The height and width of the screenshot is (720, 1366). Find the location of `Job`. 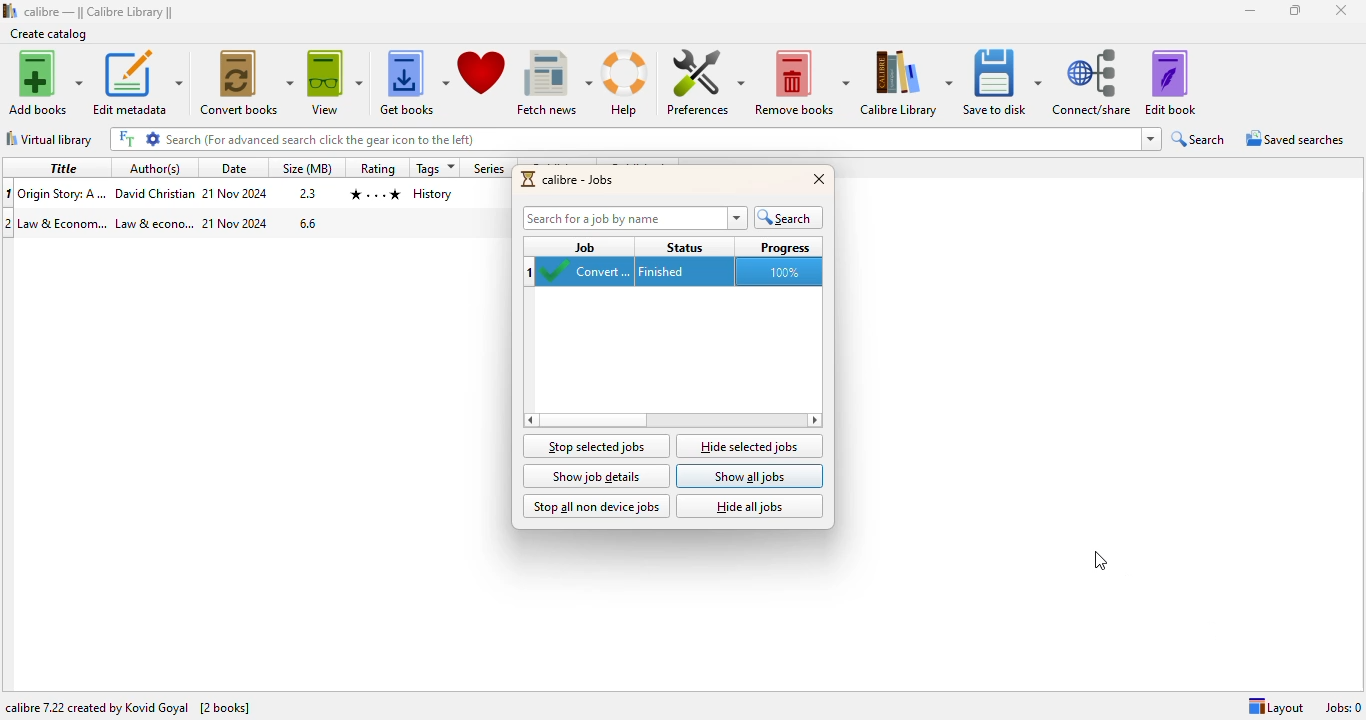

Job is located at coordinates (584, 246).